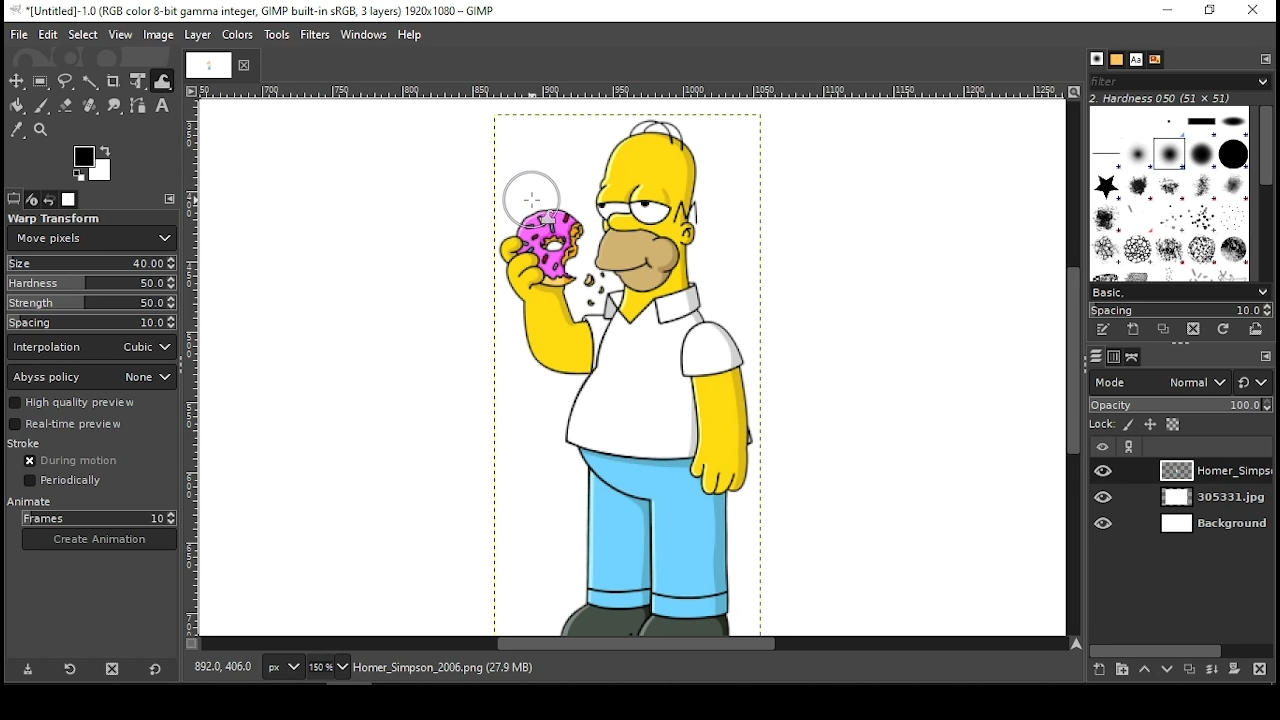 The width and height of the screenshot is (1280, 720). What do you see at coordinates (1137, 60) in the screenshot?
I see `text` at bounding box center [1137, 60].